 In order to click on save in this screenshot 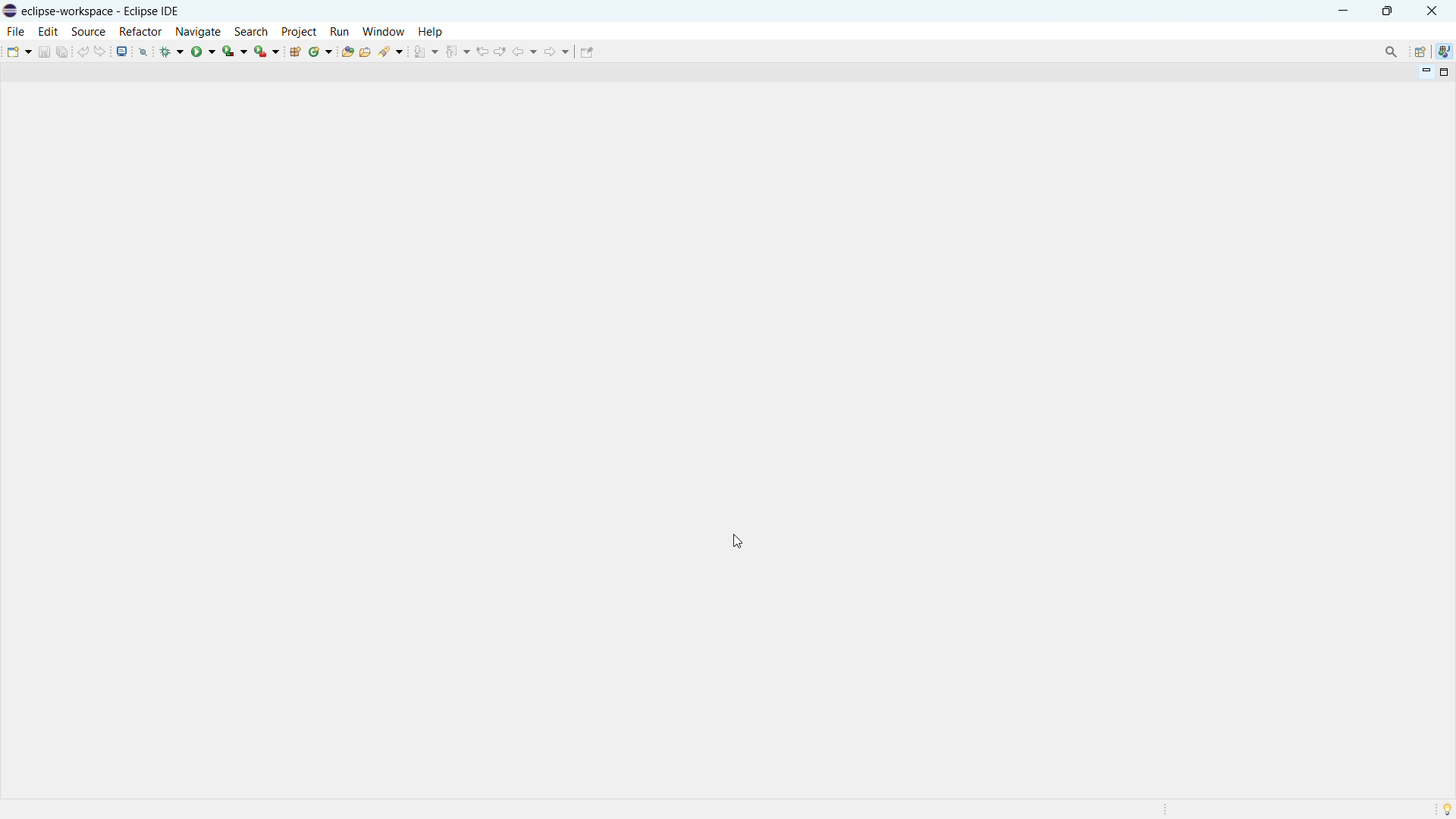, I will do `click(44, 52)`.